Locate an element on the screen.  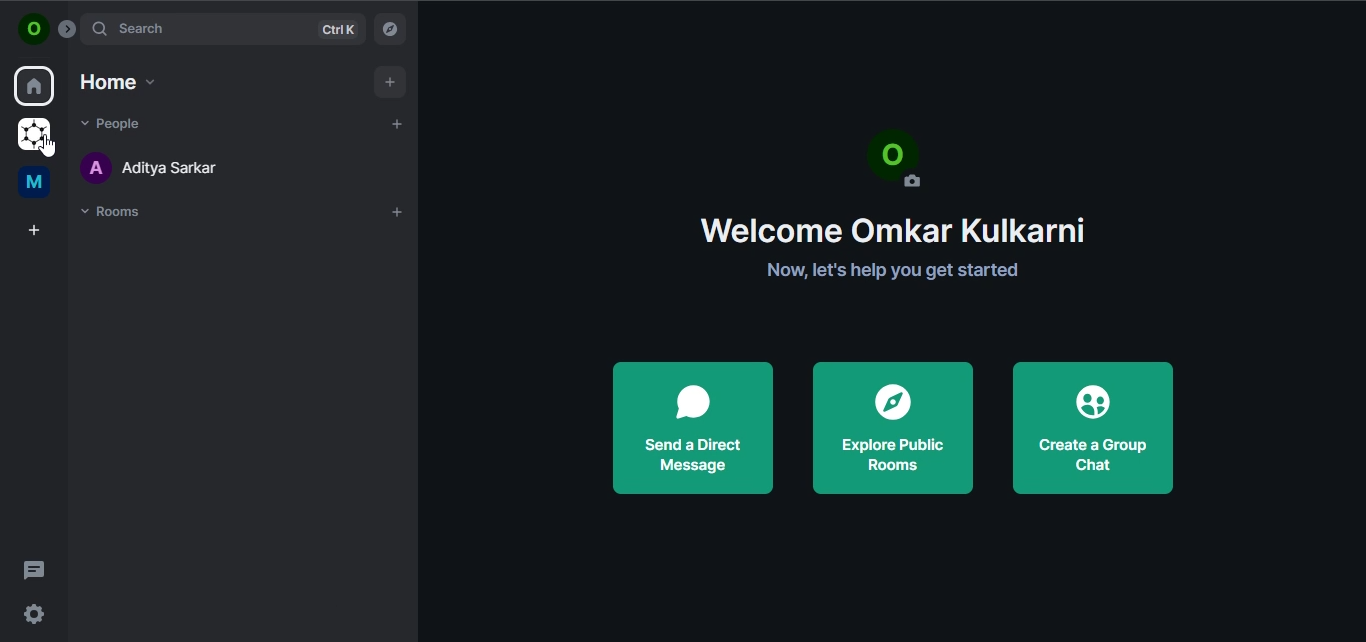
threads is located at coordinates (34, 569).